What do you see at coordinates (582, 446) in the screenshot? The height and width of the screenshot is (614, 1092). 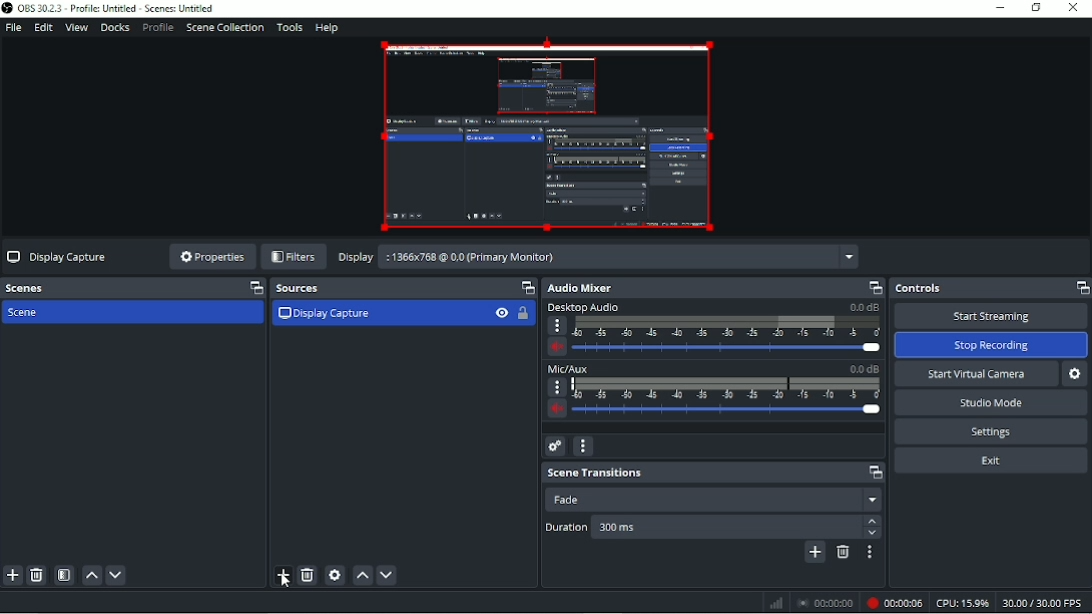 I see `Audio mixer menu` at bounding box center [582, 446].